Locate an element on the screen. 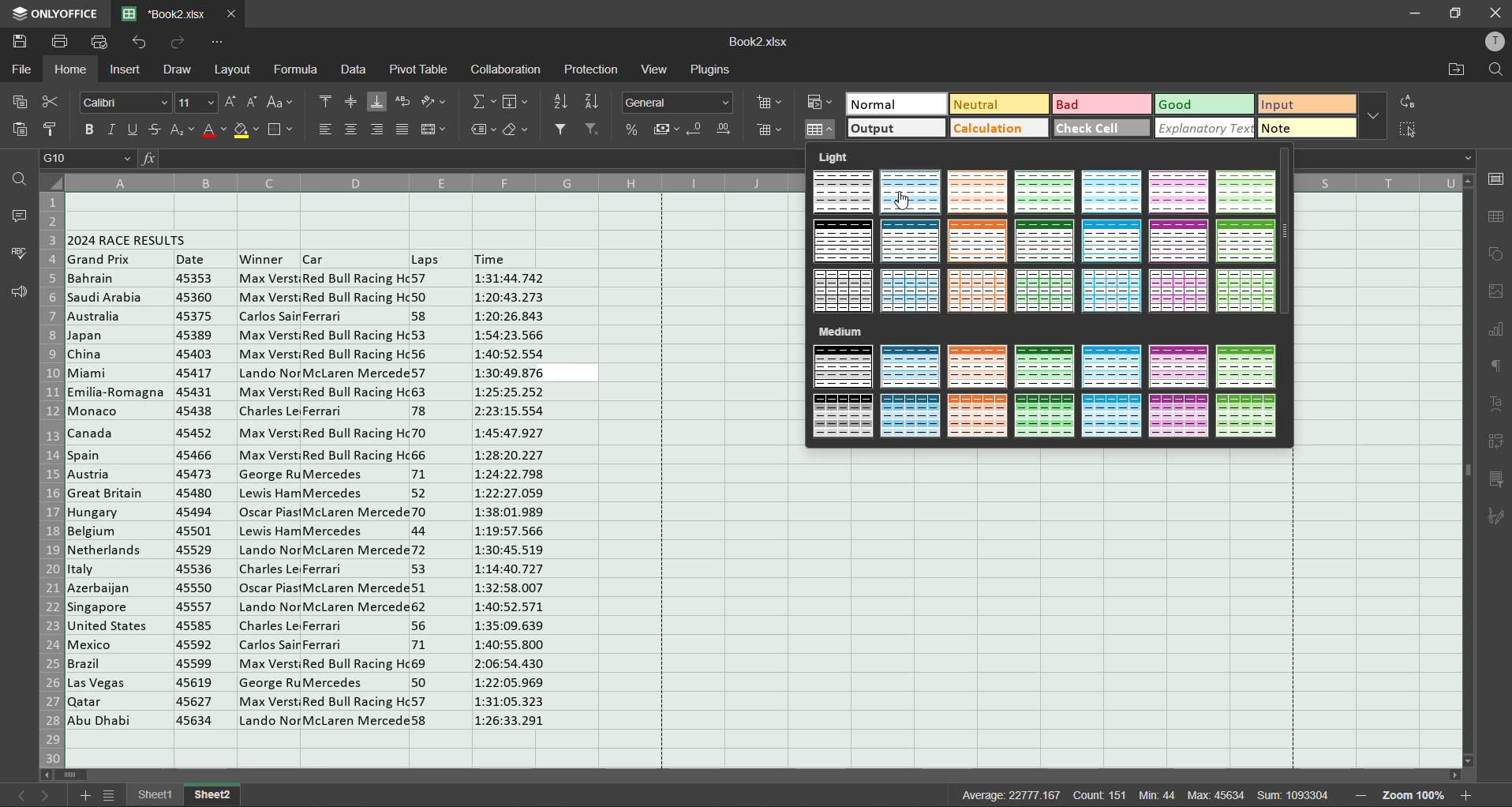 The width and height of the screenshot is (1512, 807). align top is located at coordinates (324, 102).